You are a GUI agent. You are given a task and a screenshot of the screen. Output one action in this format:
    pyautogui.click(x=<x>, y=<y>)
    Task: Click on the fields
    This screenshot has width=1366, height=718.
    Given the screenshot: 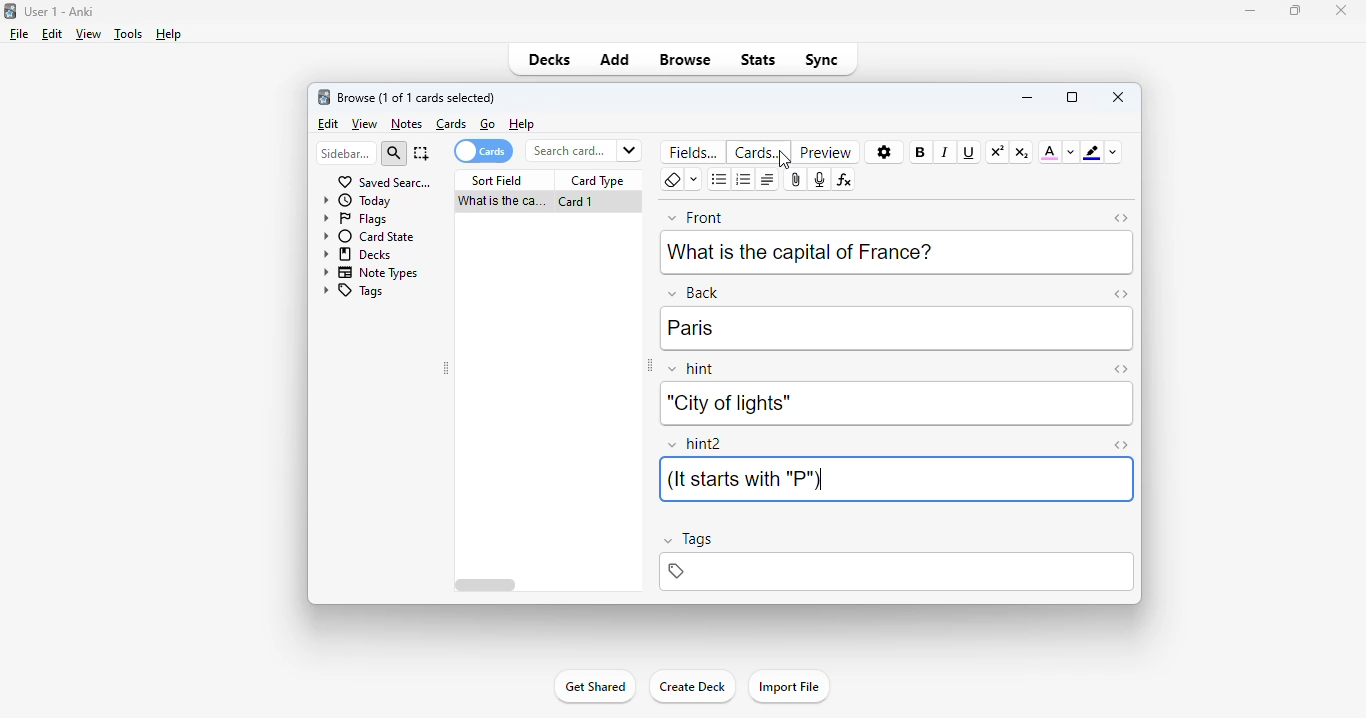 What is the action you would take?
    pyautogui.click(x=695, y=151)
    